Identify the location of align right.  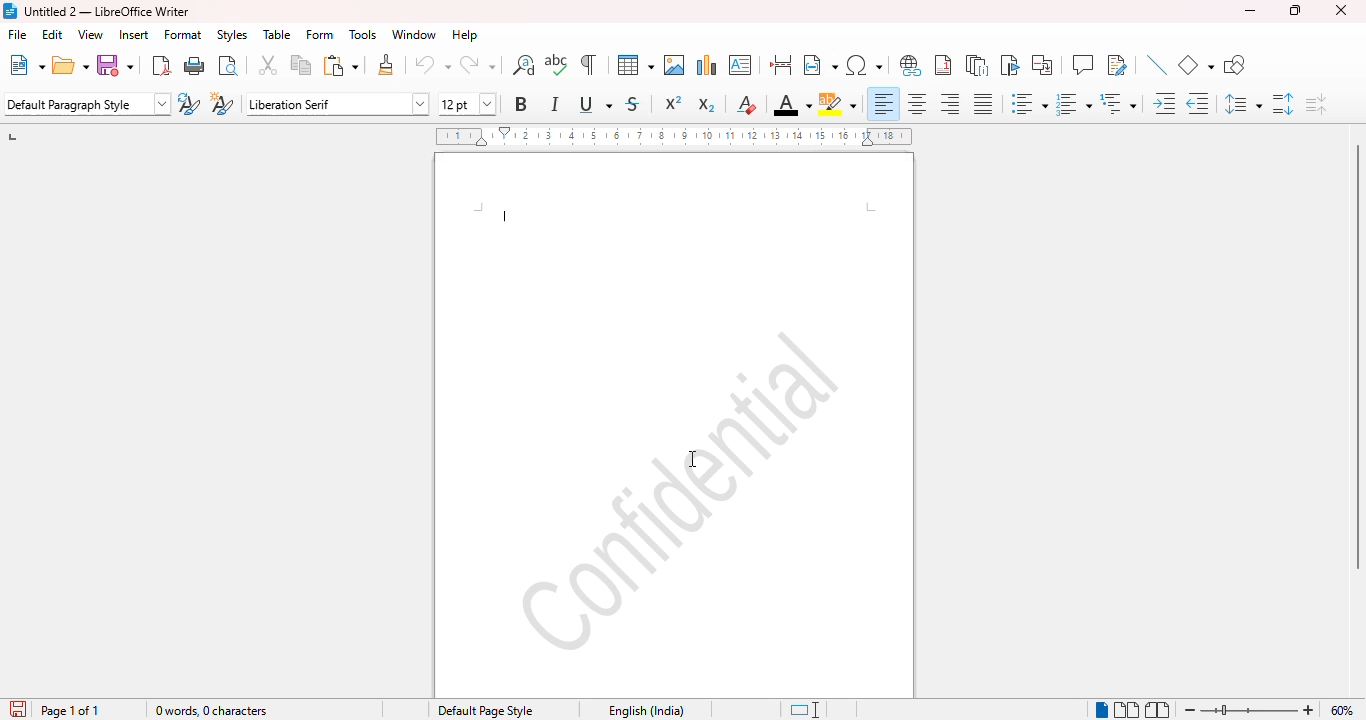
(949, 103).